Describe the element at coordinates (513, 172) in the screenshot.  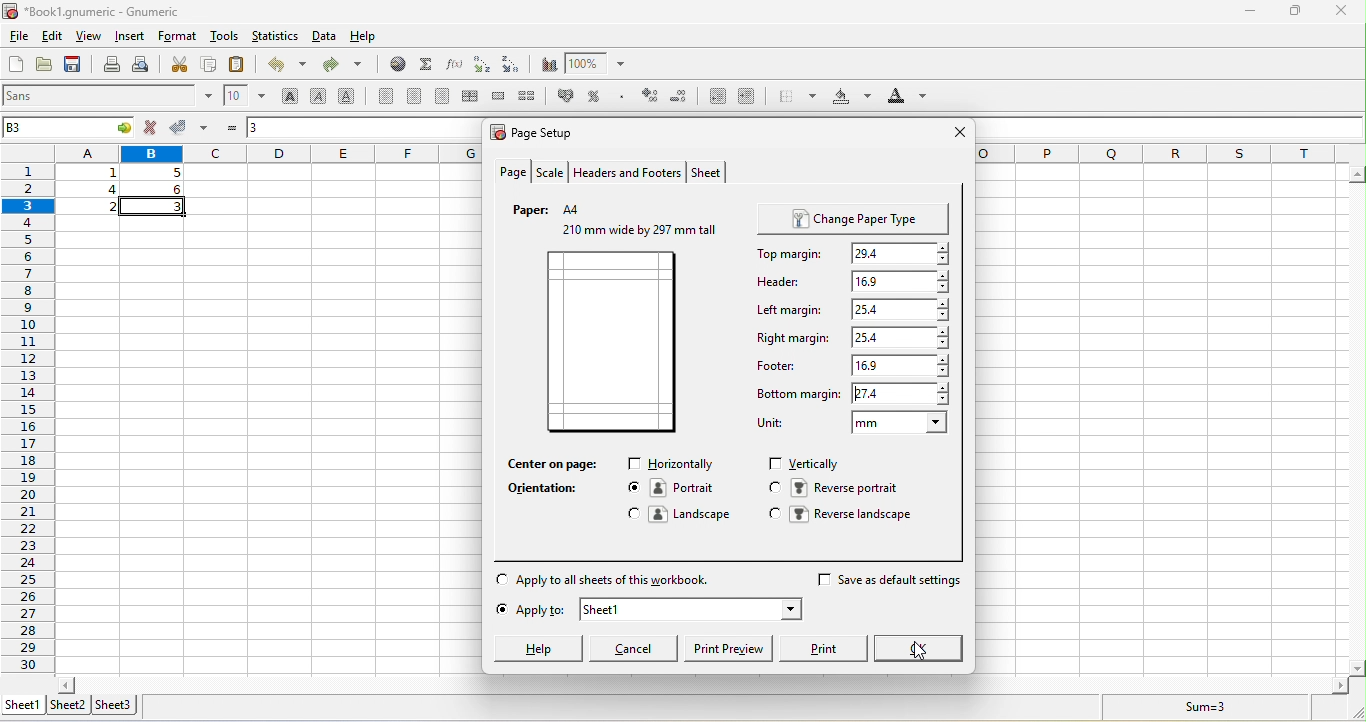
I see `page` at that location.